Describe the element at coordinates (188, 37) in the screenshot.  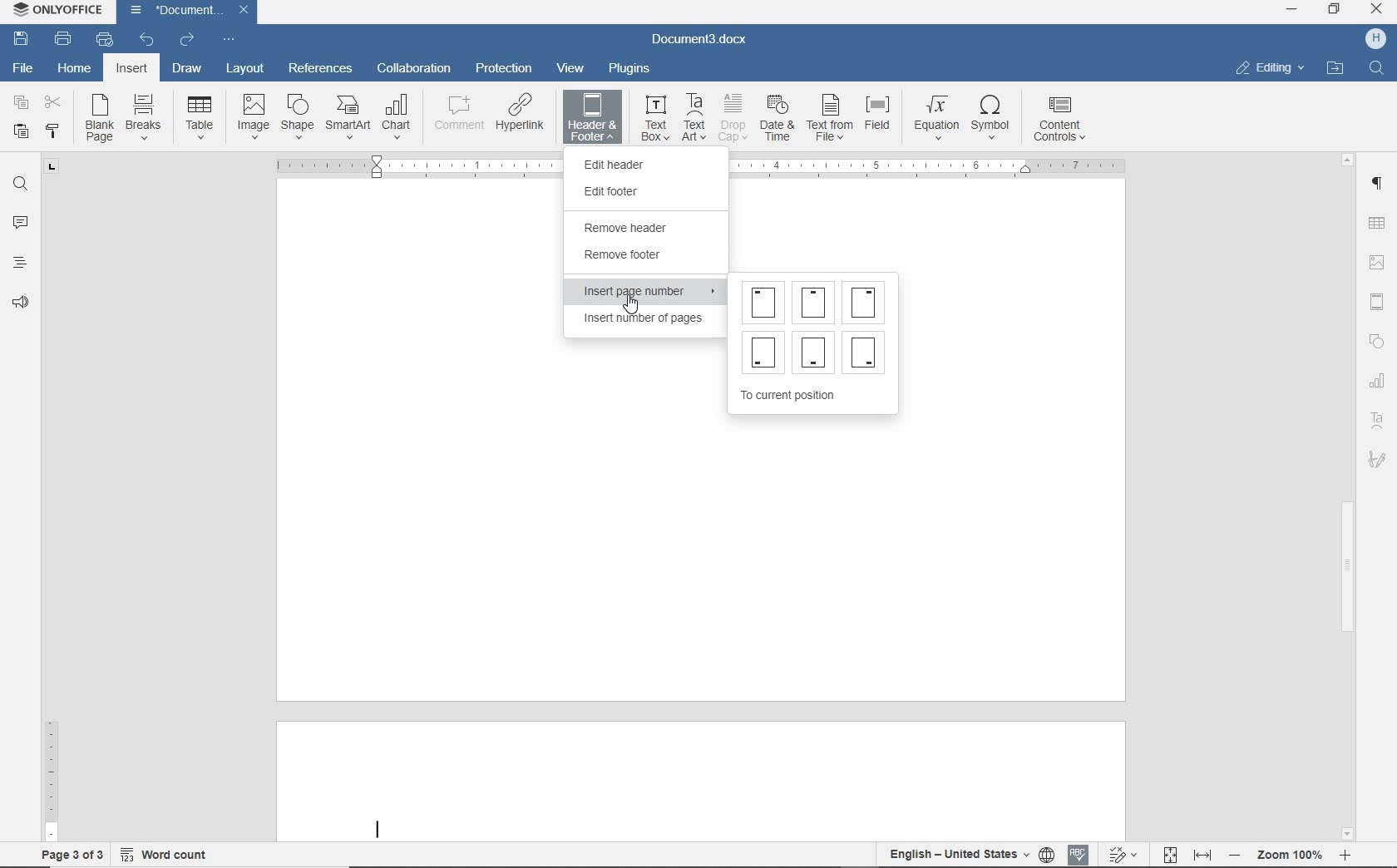
I see `REDO` at that location.